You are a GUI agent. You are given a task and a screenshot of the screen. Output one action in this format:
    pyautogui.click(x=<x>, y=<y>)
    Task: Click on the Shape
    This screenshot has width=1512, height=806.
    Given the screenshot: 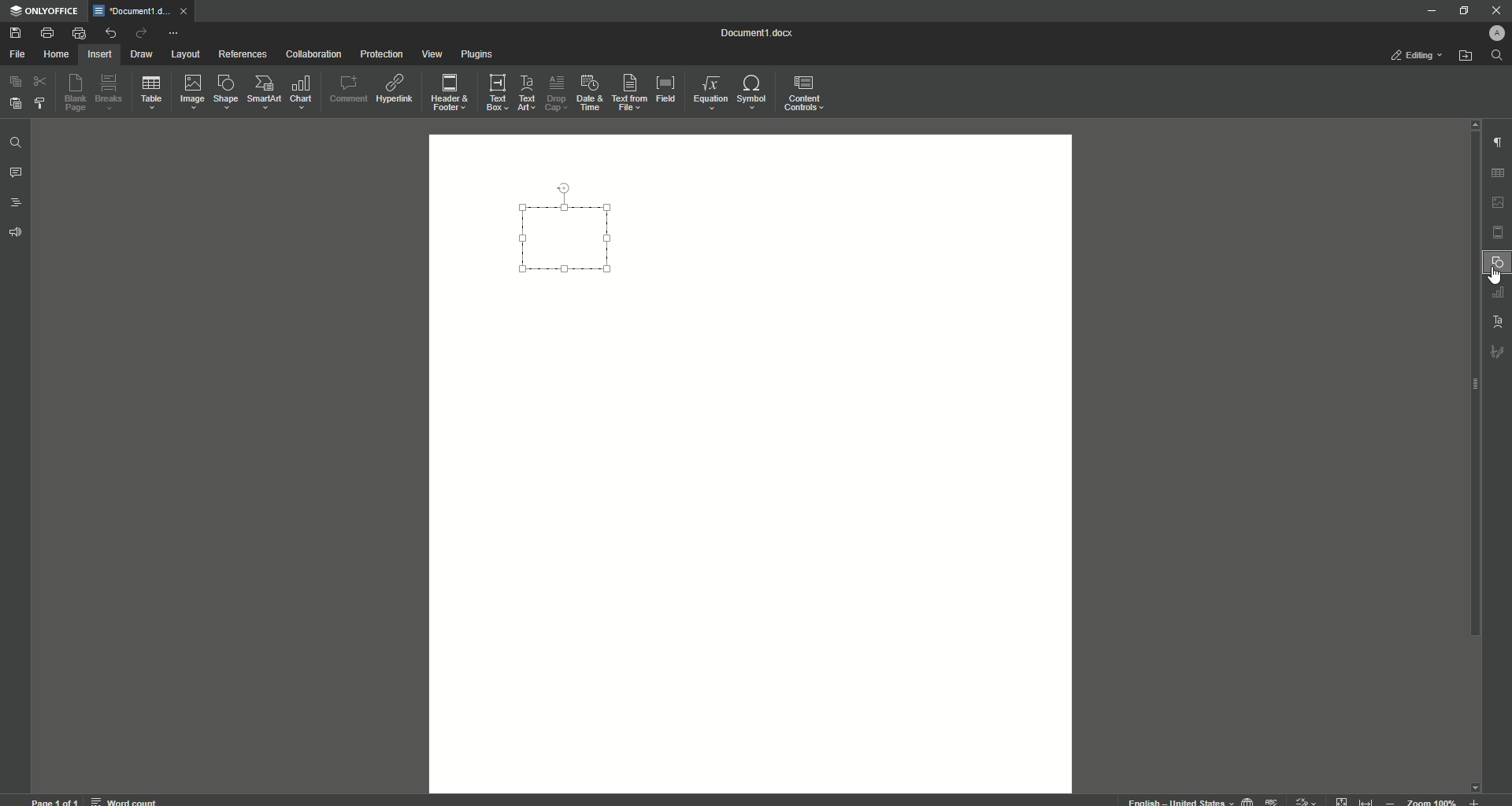 What is the action you would take?
    pyautogui.click(x=224, y=91)
    